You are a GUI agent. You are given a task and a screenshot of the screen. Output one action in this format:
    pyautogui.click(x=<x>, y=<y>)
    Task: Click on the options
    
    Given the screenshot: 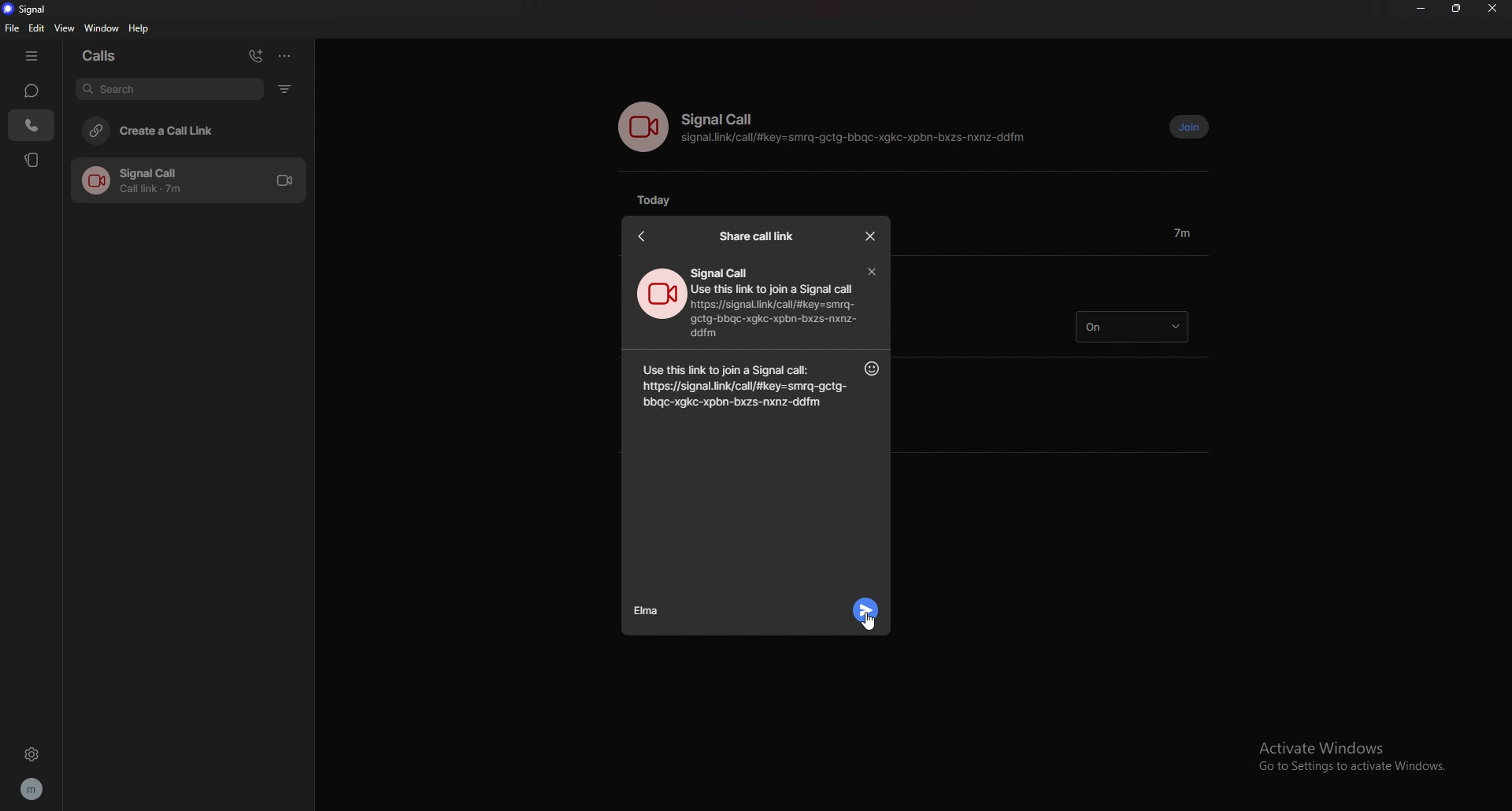 What is the action you would take?
    pyautogui.click(x=287, y=55)
    